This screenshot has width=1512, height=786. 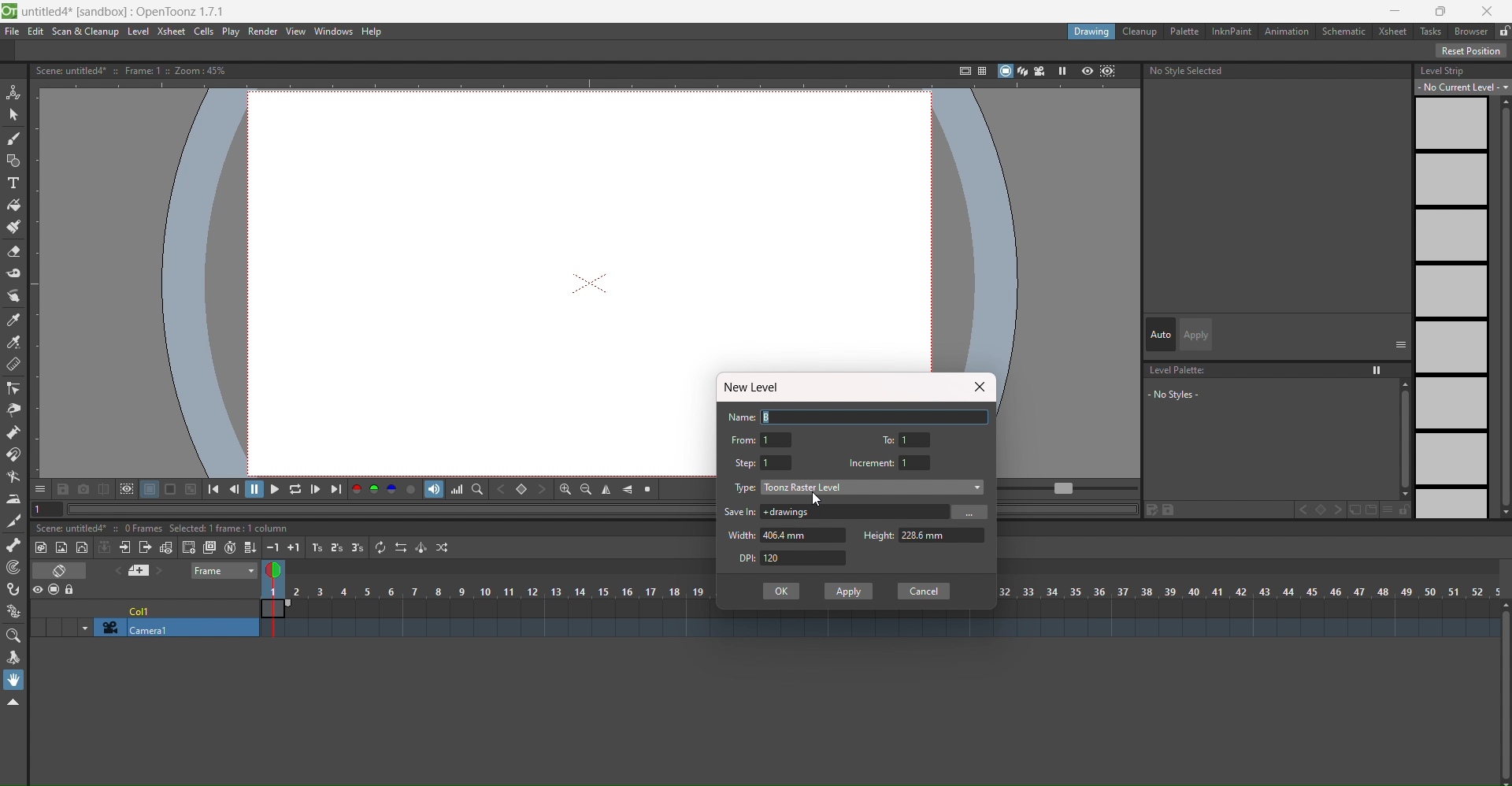 What do you see at coordinates (1183, 31) in the screenshot?
I see `palette` at bounding box center [1183, 31].